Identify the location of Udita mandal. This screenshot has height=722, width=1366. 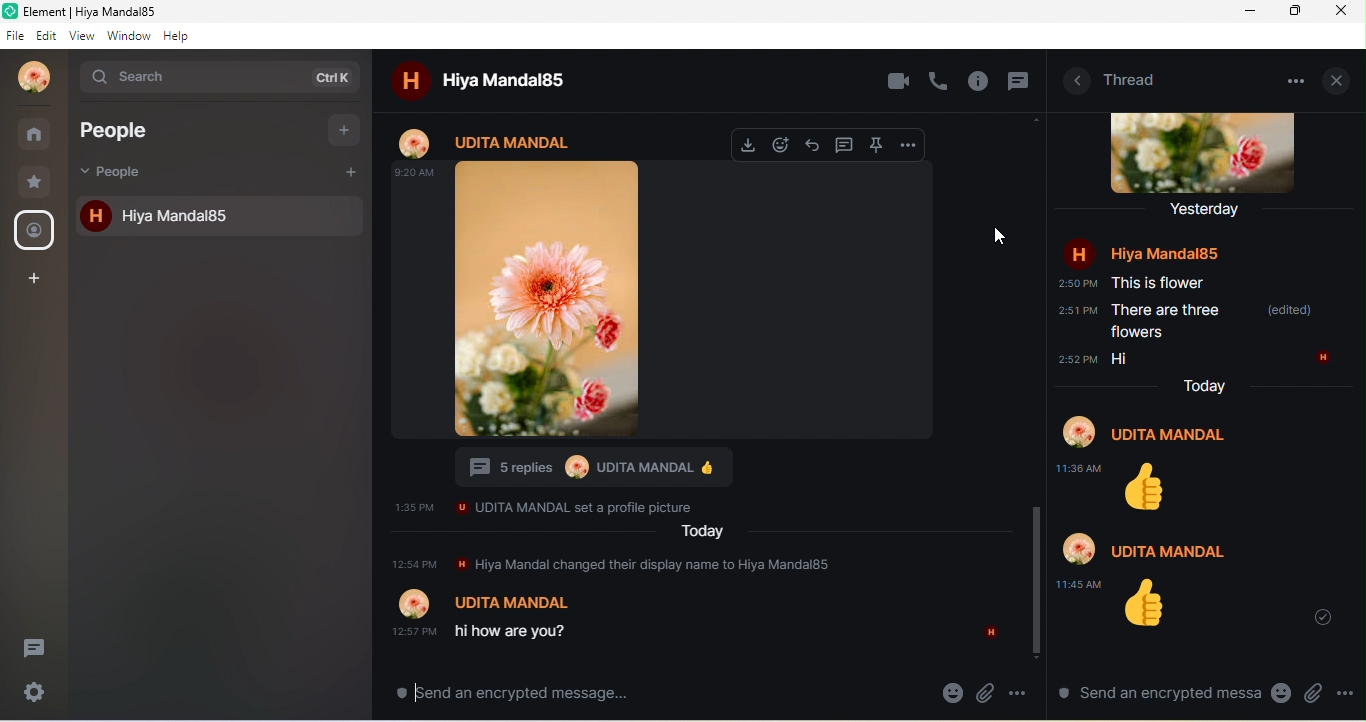
(516, 142).